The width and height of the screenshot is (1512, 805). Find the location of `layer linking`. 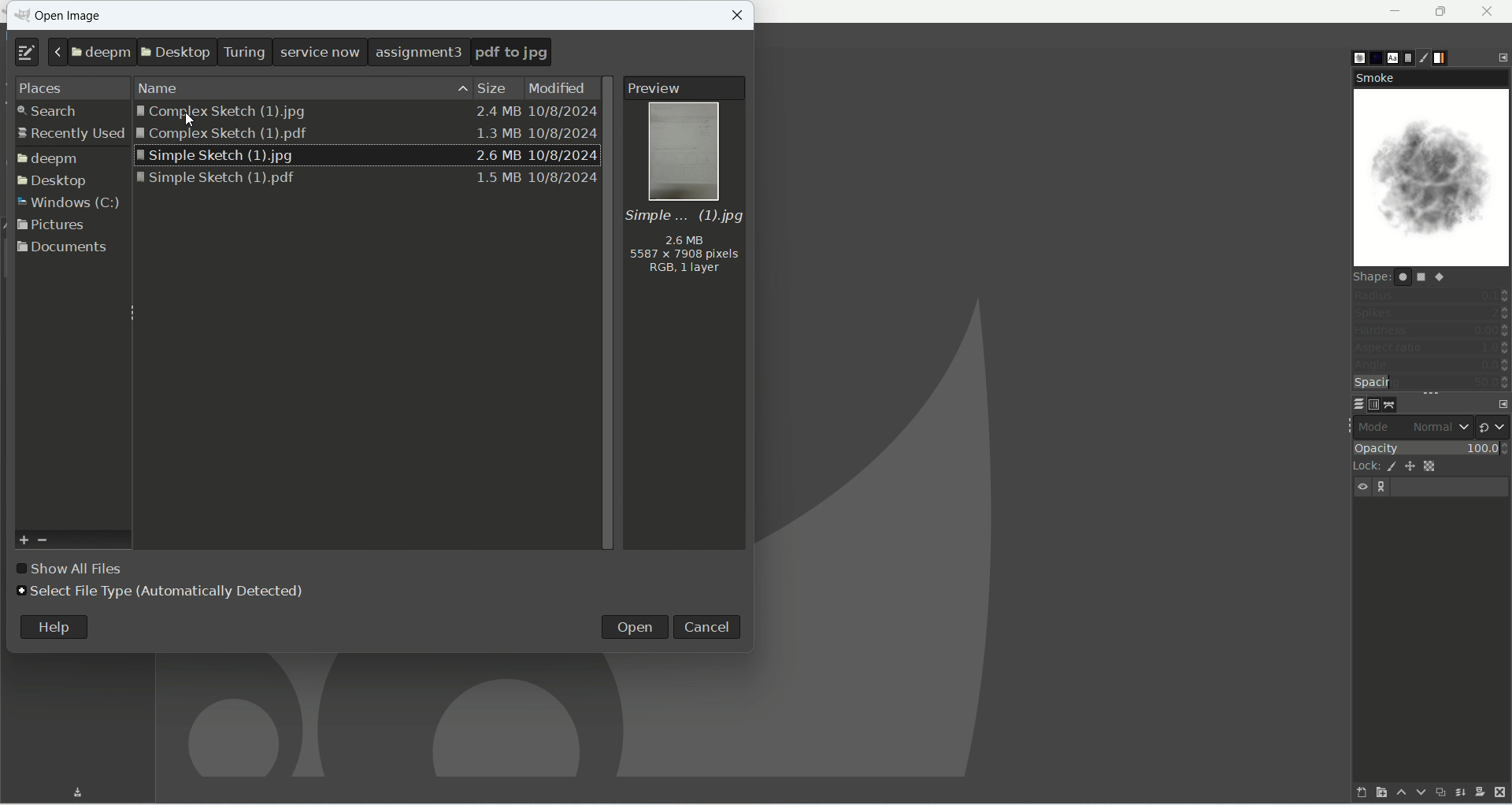

layer linking is located at coordinates (1385, 488).